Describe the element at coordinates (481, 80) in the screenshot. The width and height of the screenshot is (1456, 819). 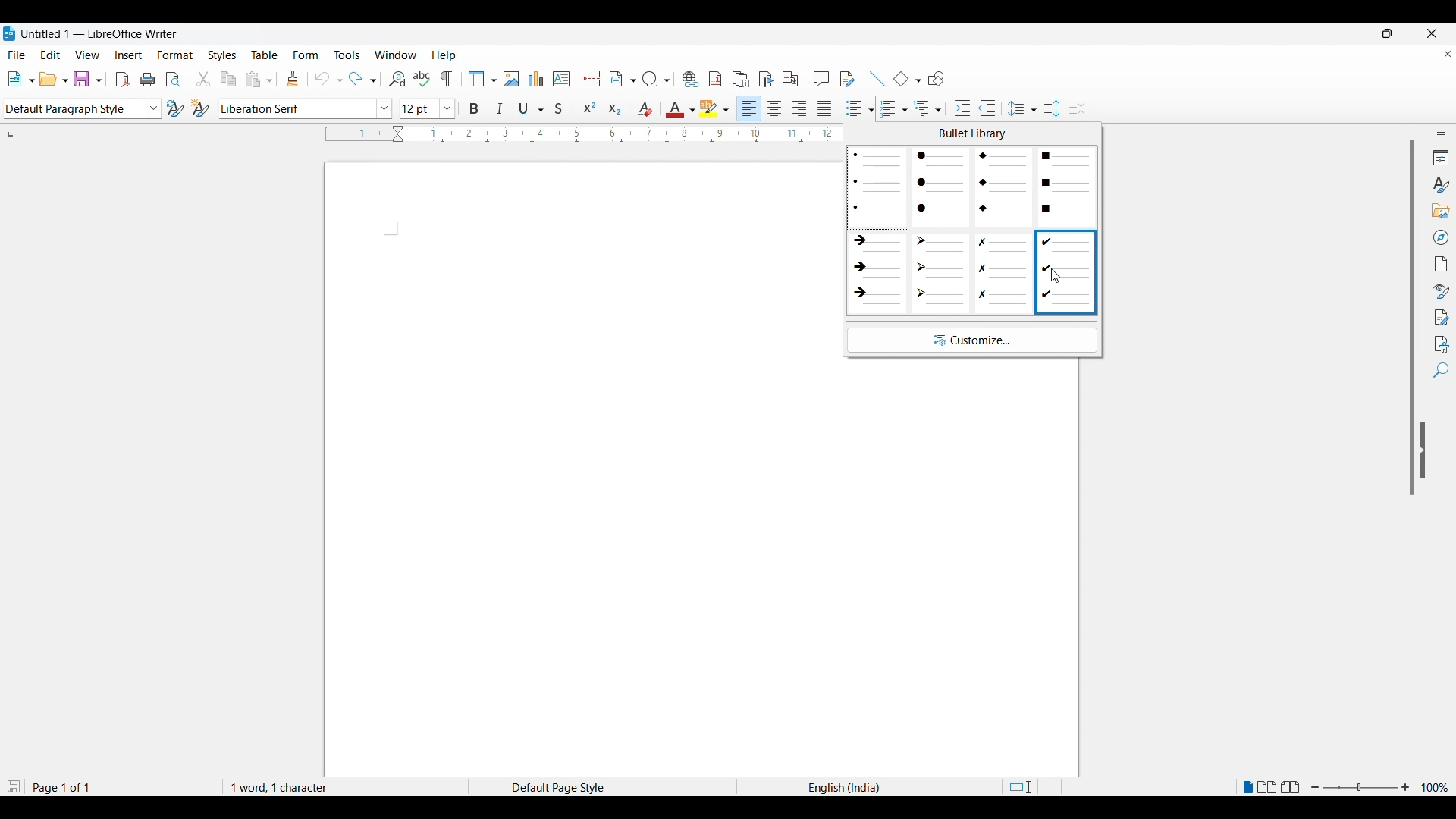
I see `insert table` at that location.